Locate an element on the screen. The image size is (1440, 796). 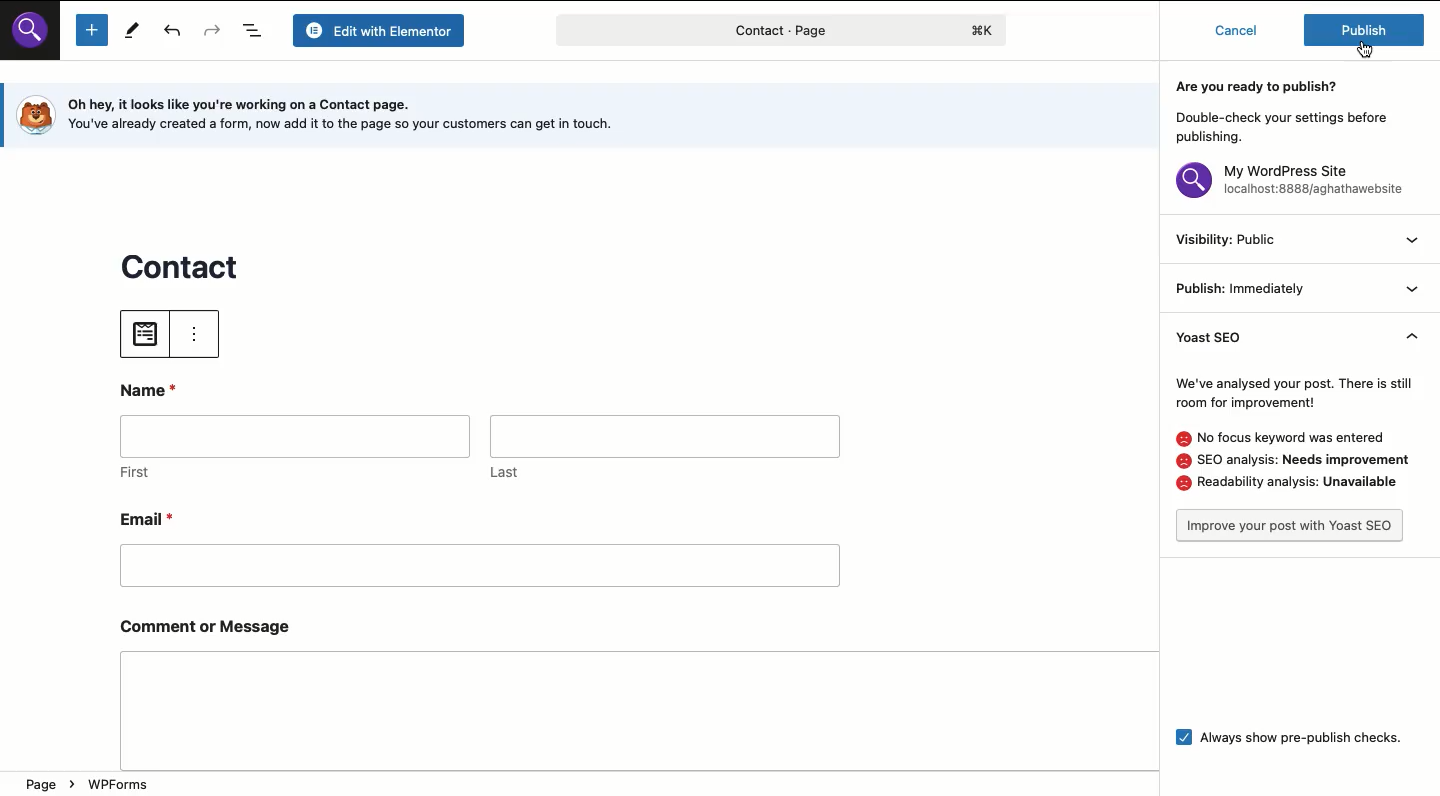
search is located at coordinates (36, 38).